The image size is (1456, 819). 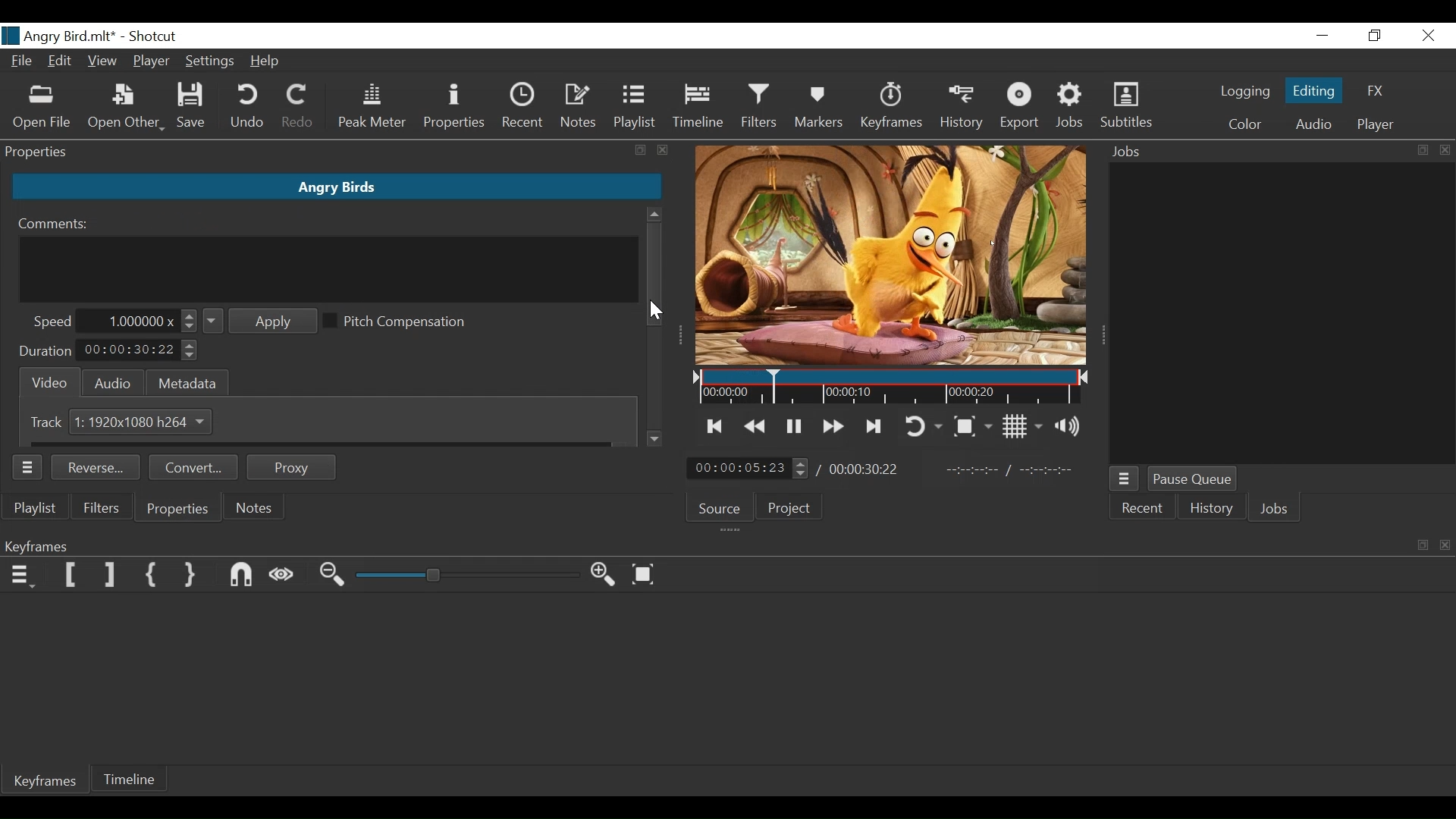 What do you see at coordinates (653, 275) in the screenshot?
I see `Vertical Scroll bar` at bounding box center [653, 275].